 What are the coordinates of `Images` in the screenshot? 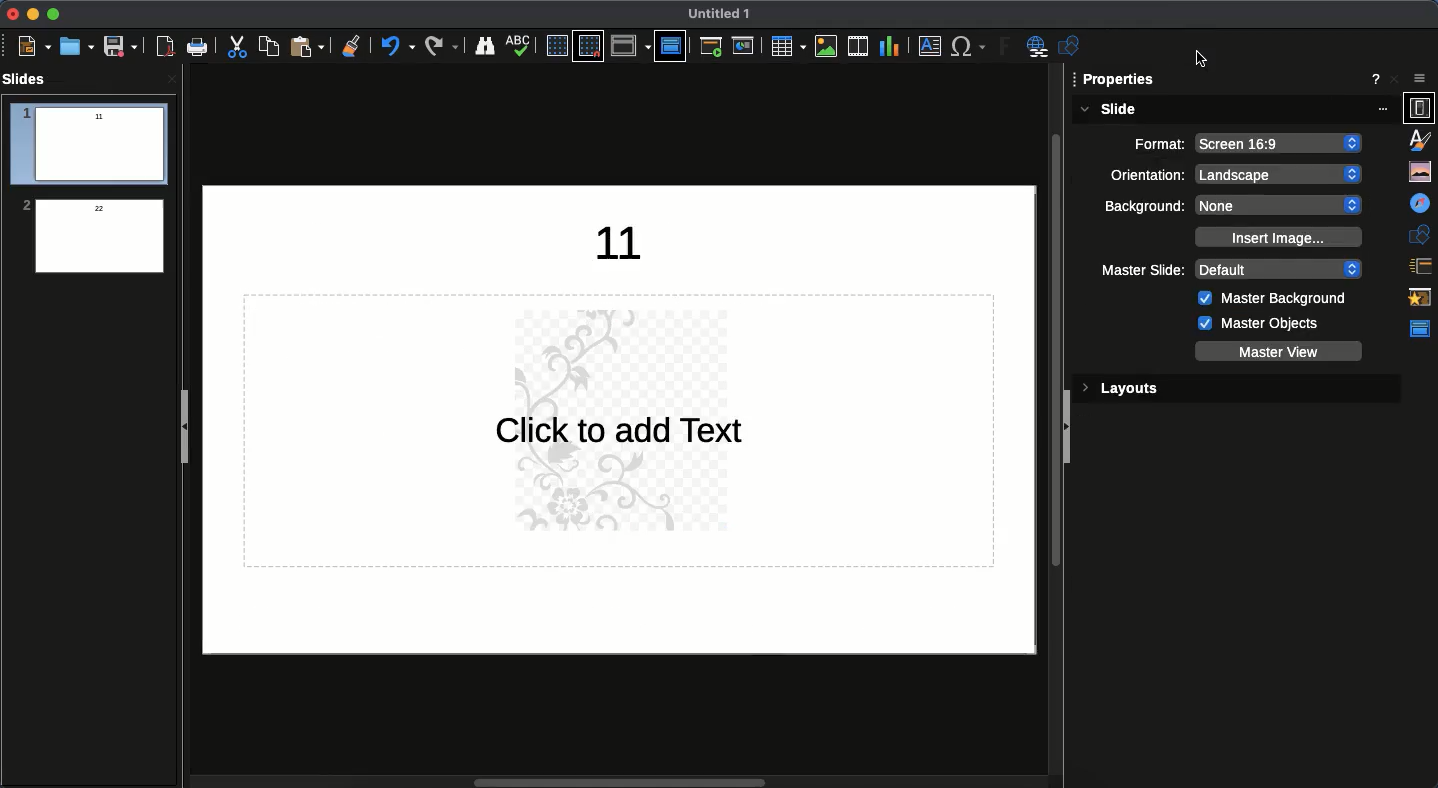 It's located at (823, 48).